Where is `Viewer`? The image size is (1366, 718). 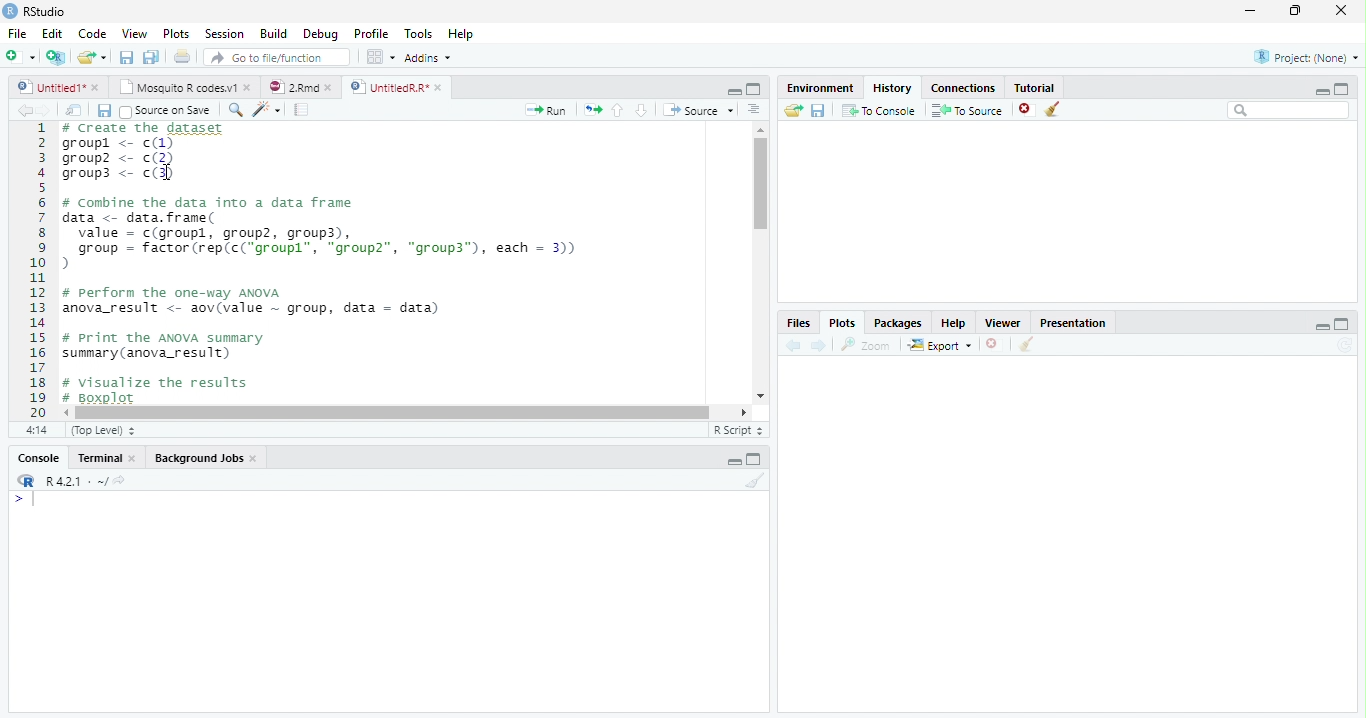 Viewer is located at coordinates (1005, 322).